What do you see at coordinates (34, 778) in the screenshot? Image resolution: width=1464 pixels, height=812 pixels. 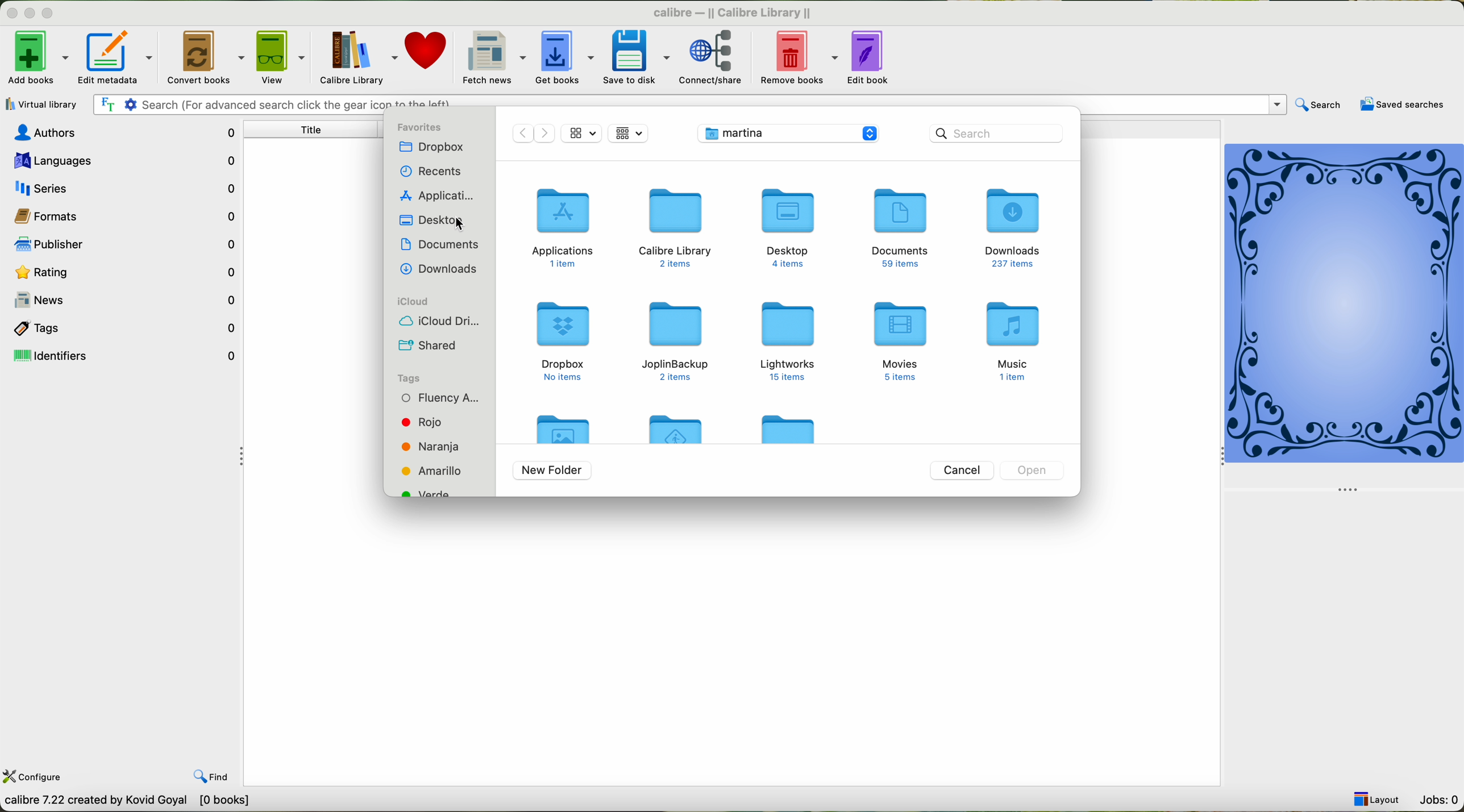 I see `configure` at bounding box center [34, 778].